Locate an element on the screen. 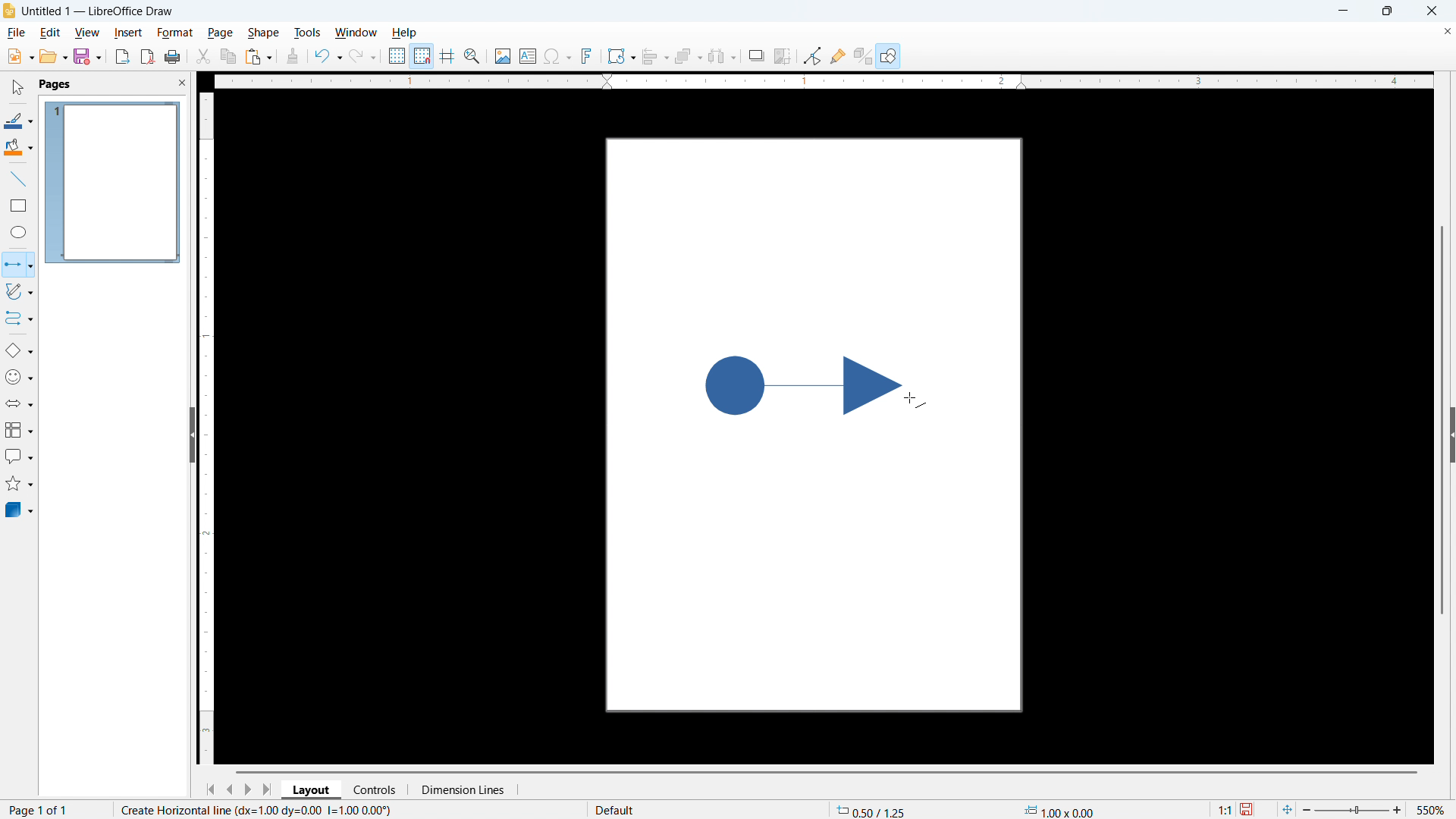 The image size is (1456, 819). Select  is located at coordinates (18, 89).